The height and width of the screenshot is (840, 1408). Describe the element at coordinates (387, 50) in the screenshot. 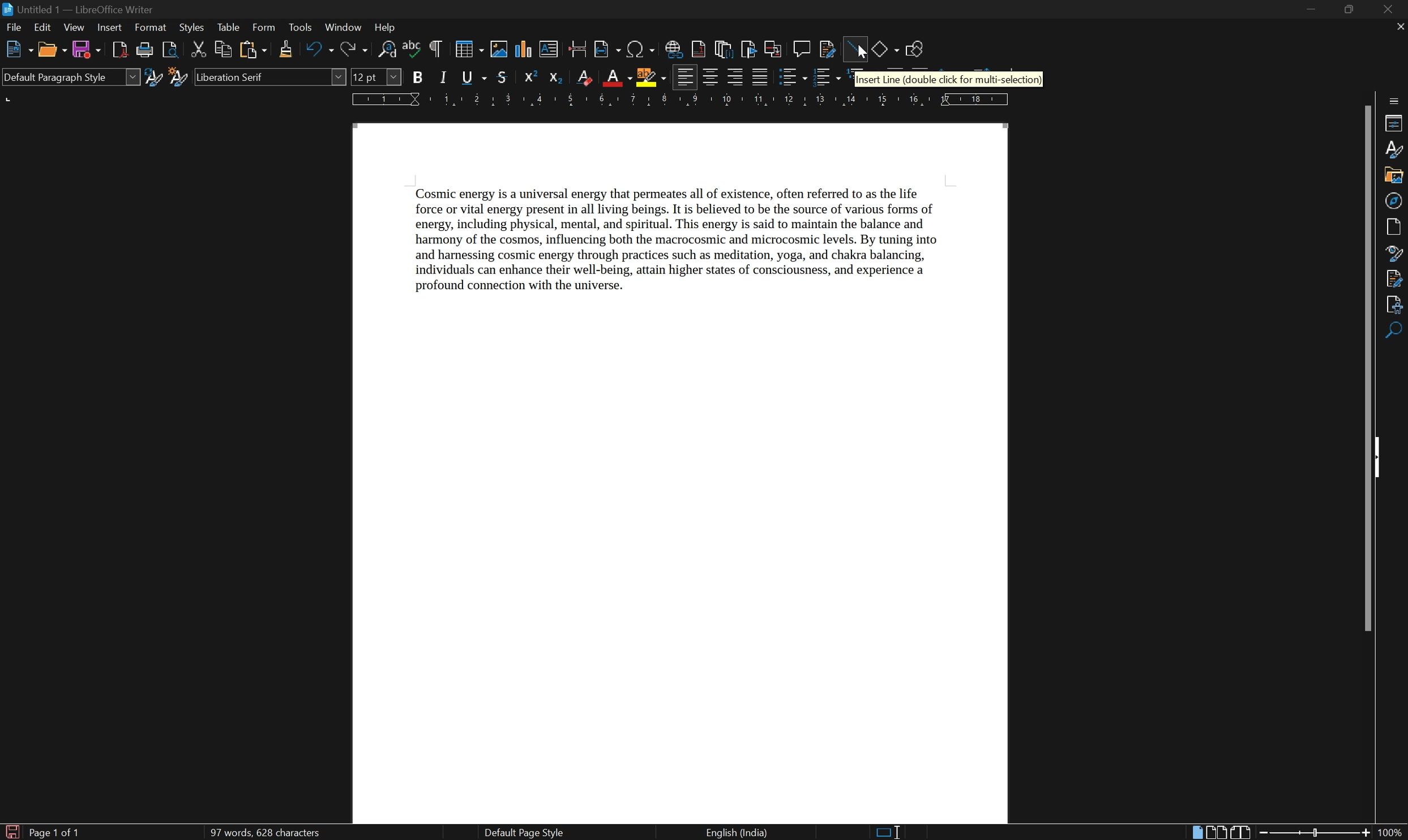

I see `find and replace` at that location.